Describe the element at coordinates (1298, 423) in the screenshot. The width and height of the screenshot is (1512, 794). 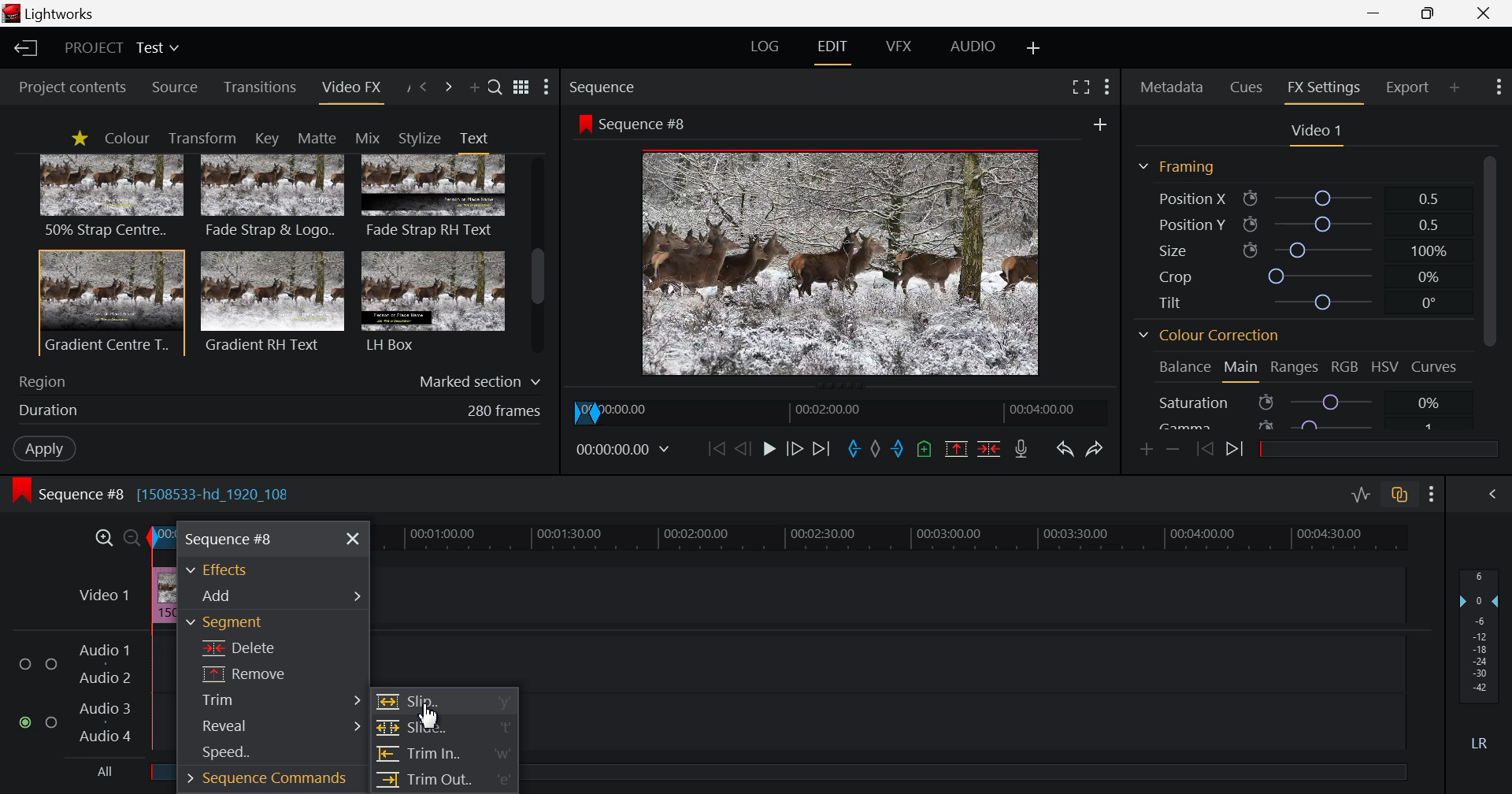
I see `Gamma` at that location.